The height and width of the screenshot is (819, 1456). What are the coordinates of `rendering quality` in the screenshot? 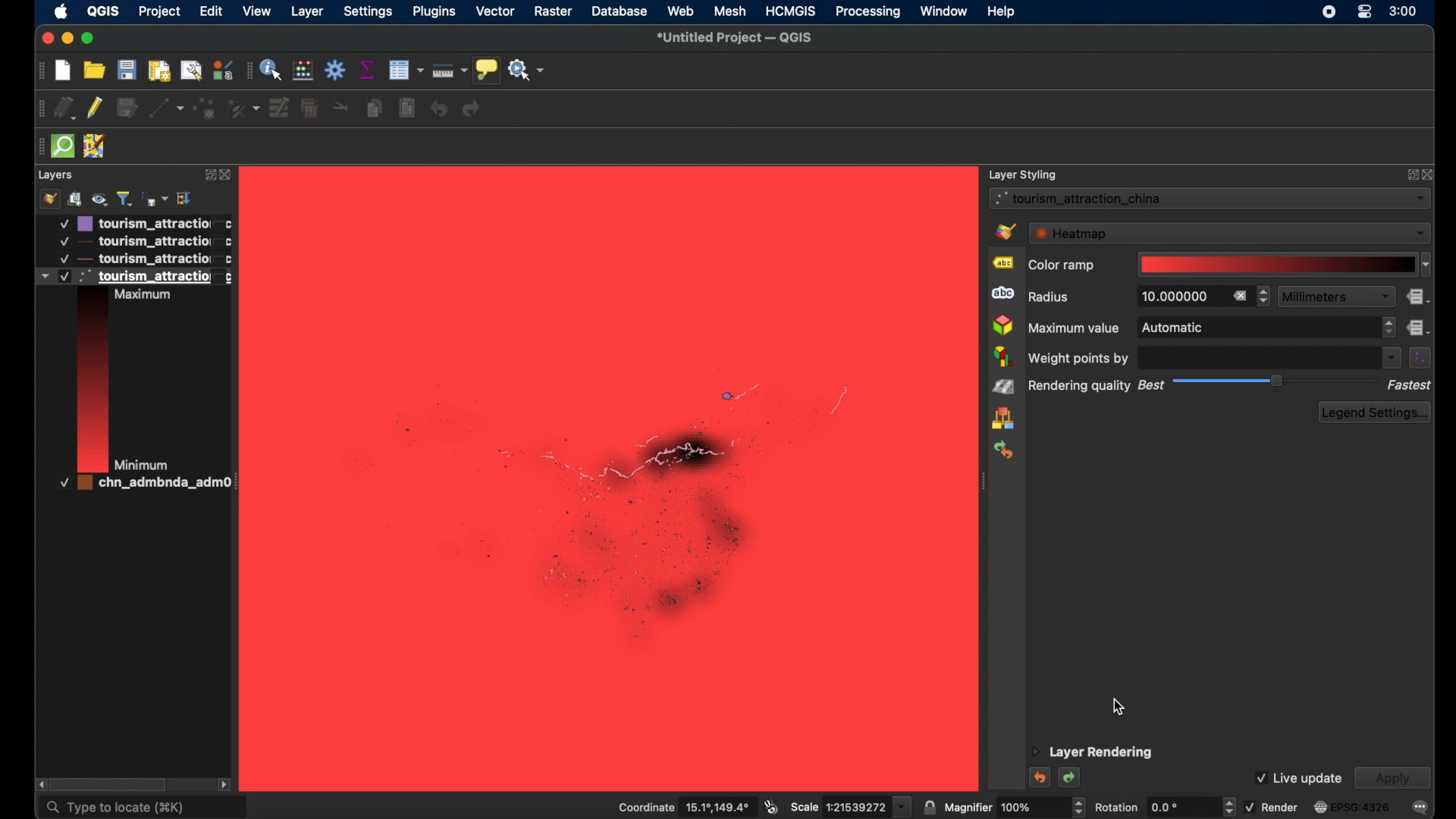 It's located at (1079, 387).